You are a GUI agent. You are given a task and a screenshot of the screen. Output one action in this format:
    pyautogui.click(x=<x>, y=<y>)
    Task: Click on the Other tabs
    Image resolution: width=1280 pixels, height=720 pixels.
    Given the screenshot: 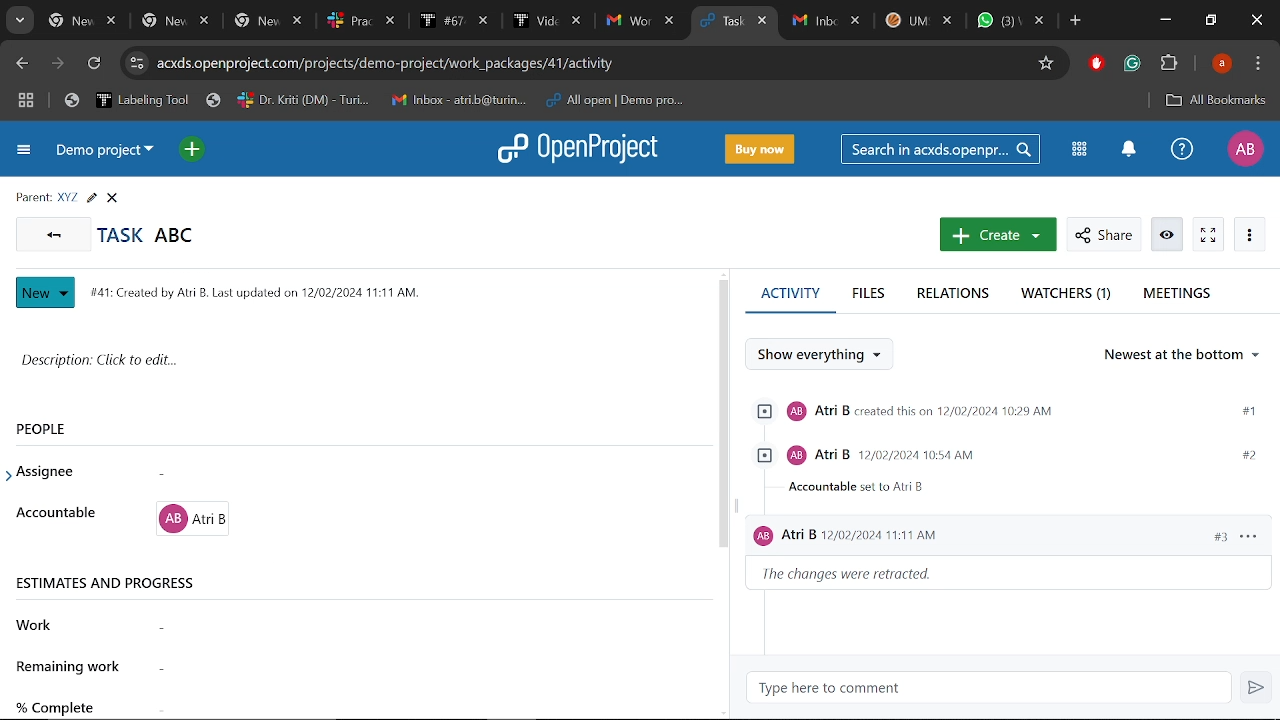 What is the action you would take?
    pyautogui.click(x=918, y=23)
    